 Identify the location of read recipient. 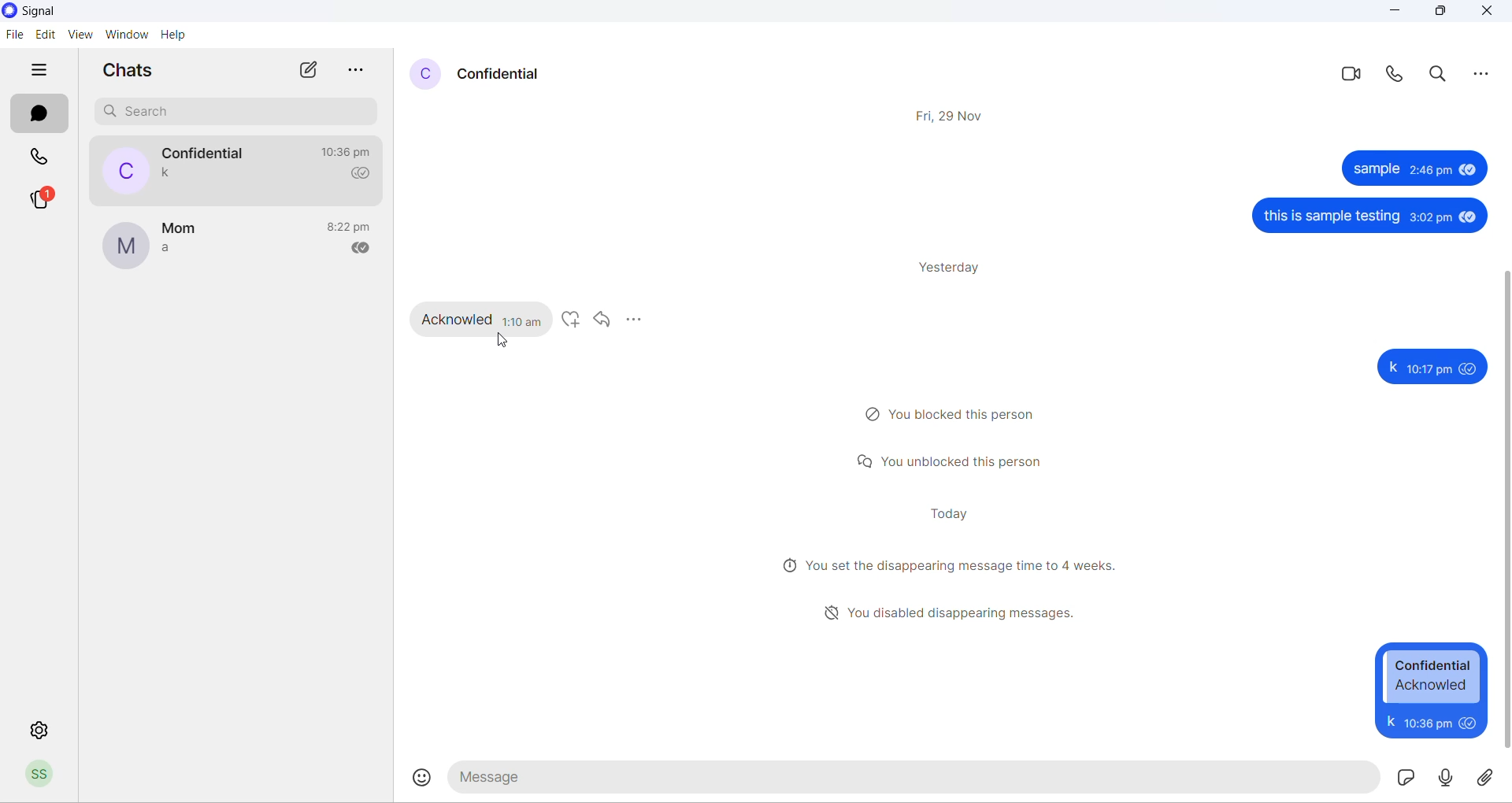
(366, 250).